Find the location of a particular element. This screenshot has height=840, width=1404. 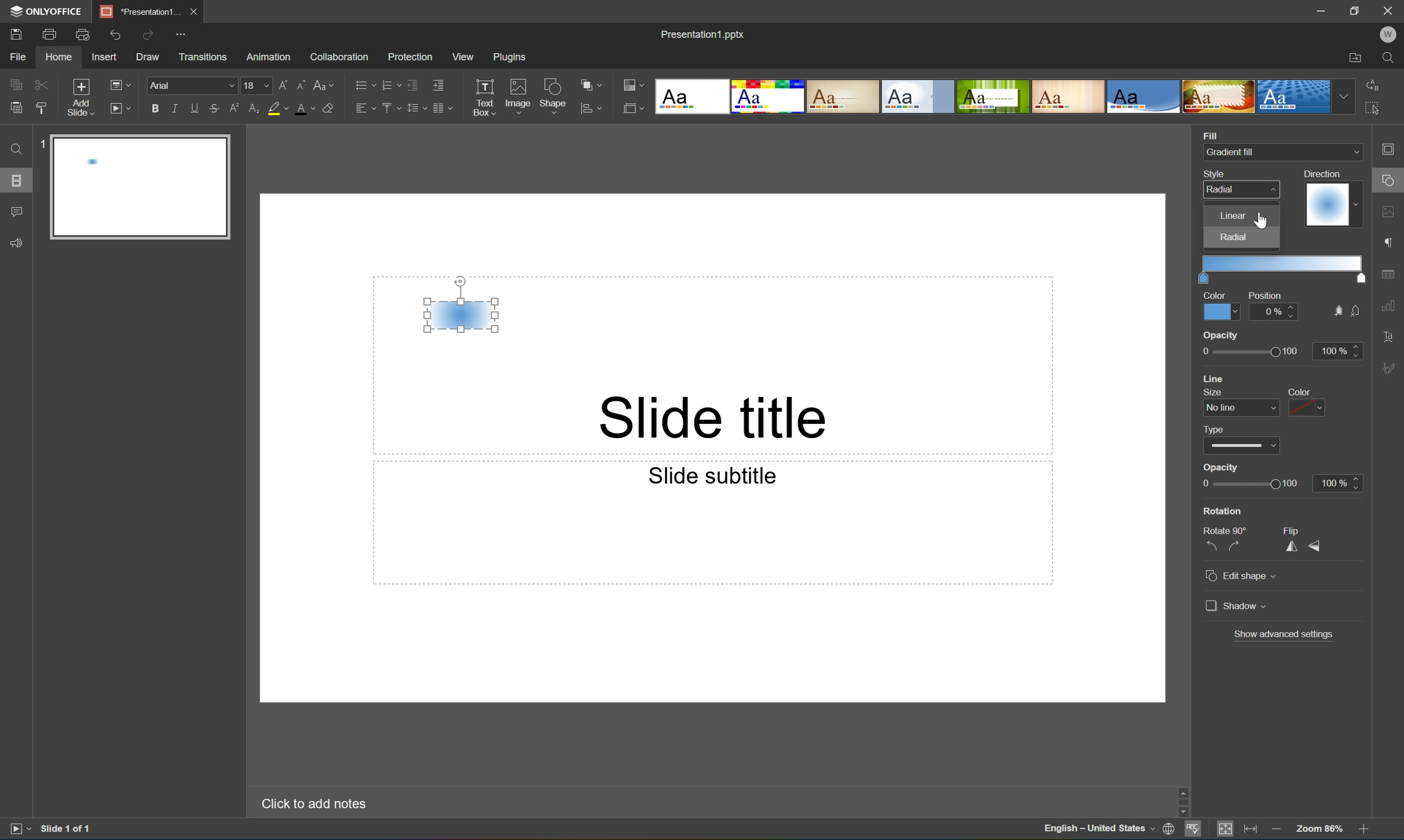

Slides is located at coordinates (19, 181).